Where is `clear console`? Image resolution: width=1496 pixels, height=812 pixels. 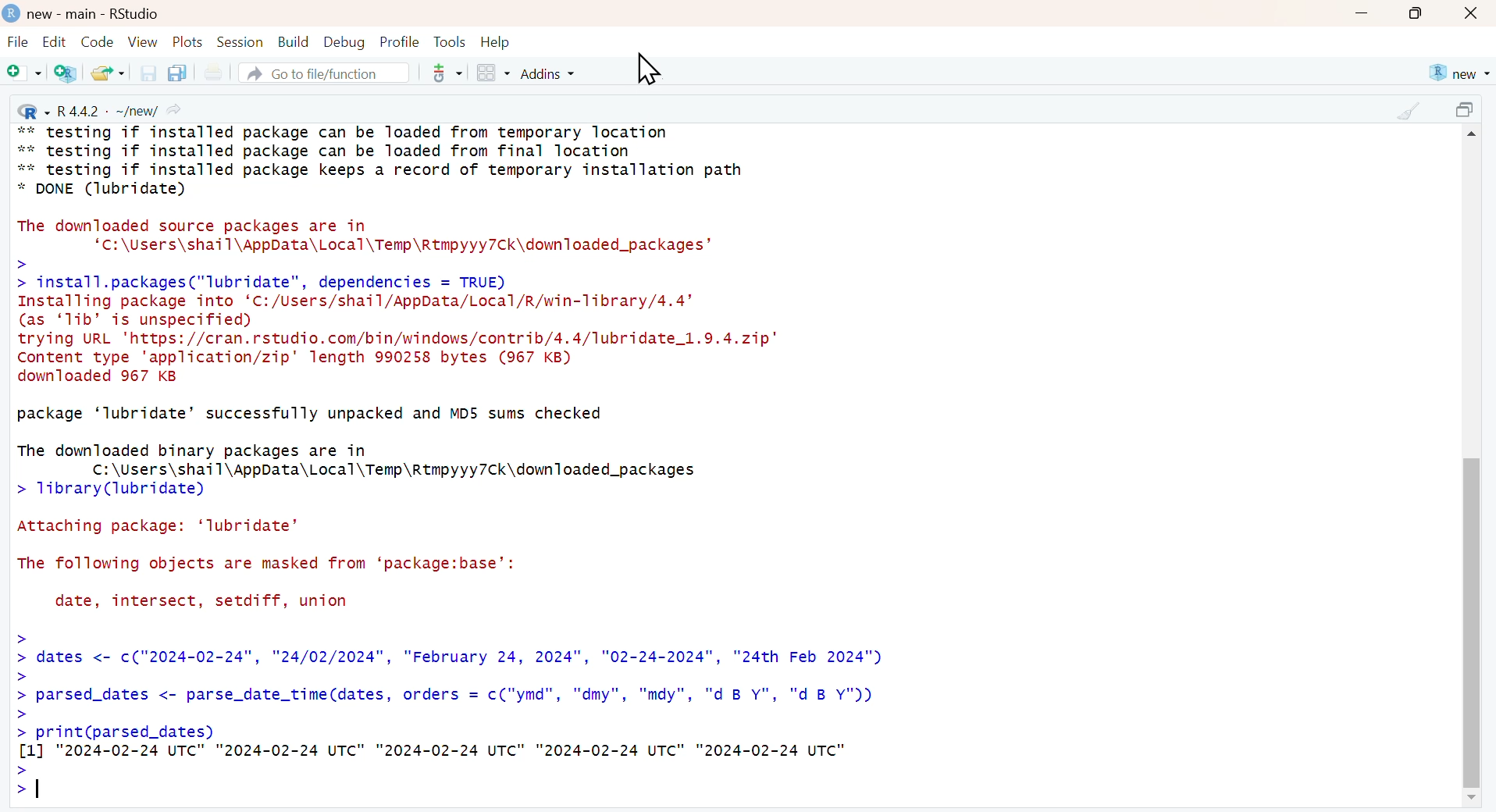 clear console is located at coordinates (1408, 111).